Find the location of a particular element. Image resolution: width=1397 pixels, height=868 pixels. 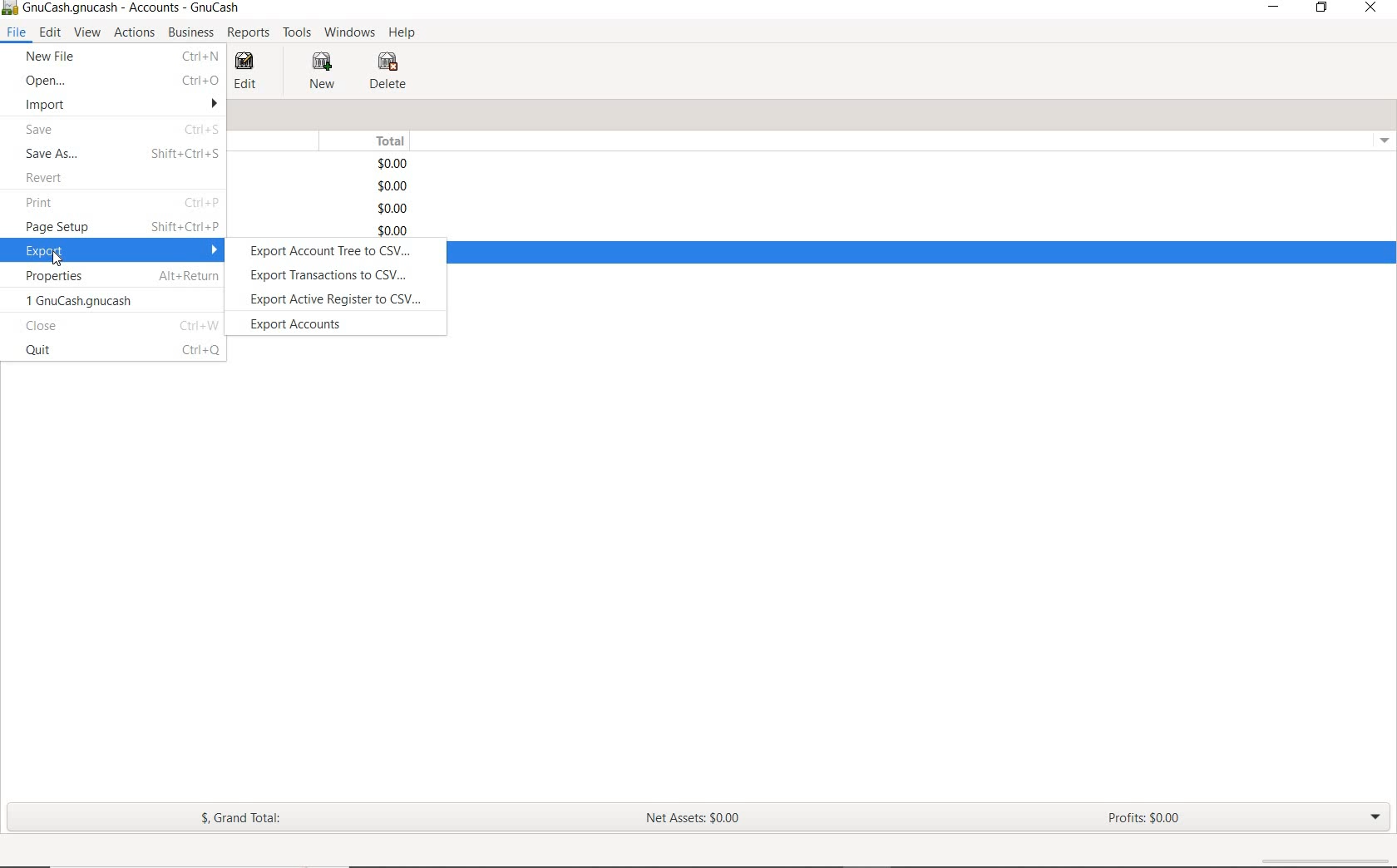

NET ASSETS is located at coordinates (697, 821).